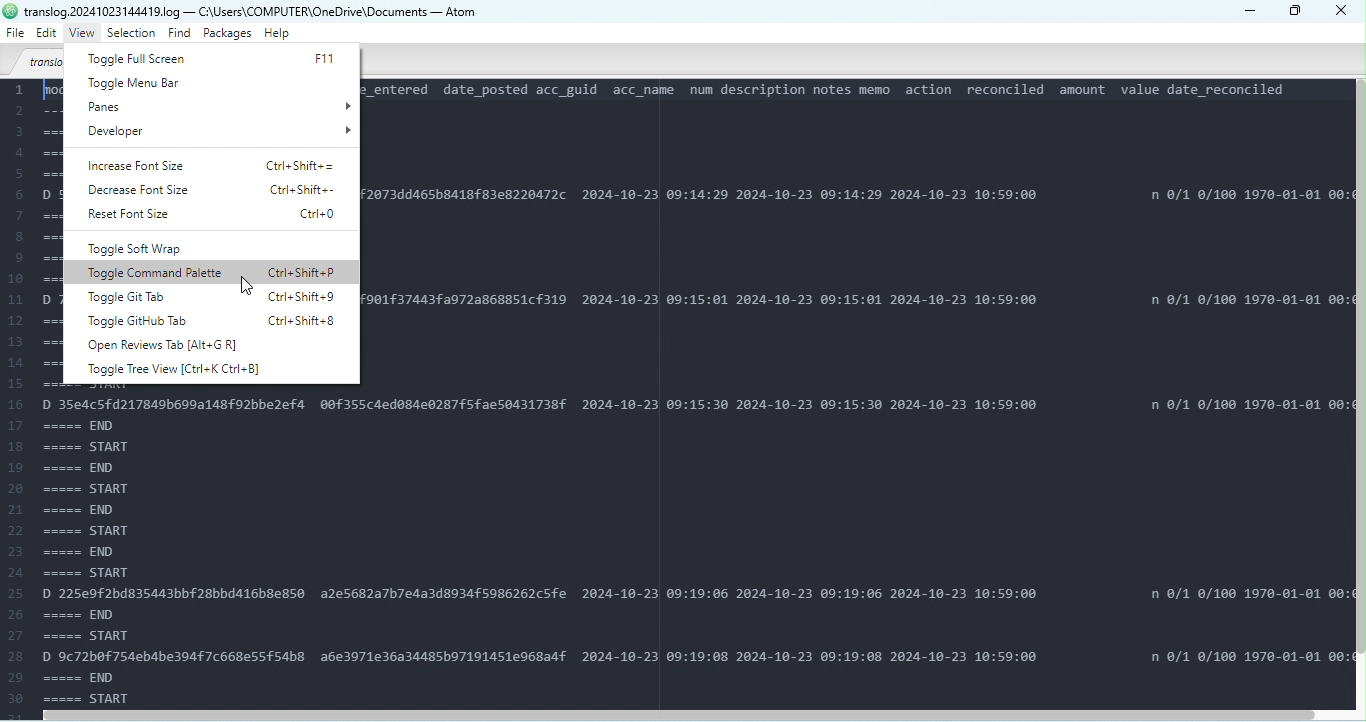 Image resolution: width=1366 pixels, height=722 pixels. What do you see at coordinates (856, 391) in the screenshot?
I see `File content - The code appears to be related to data entries or logs, possibly from a database or system process. It includes elements like:  START/END: Markers indicating the beginning and end of a data record. GUIDs (Globally Unique Identifiers): Long strings of characters that uniquely identify each record. Timestamps: Dates and times associated with the records, such as 2024-10-23 09:14:29. Counters/Indexes: Values like "n 0/1 100" or "0/1 100", which might indicate record numbers or positions. Date Codes: Such as 1970-01-01 00, which might represent default or initial dates. ` at bounding box center [856, 391].